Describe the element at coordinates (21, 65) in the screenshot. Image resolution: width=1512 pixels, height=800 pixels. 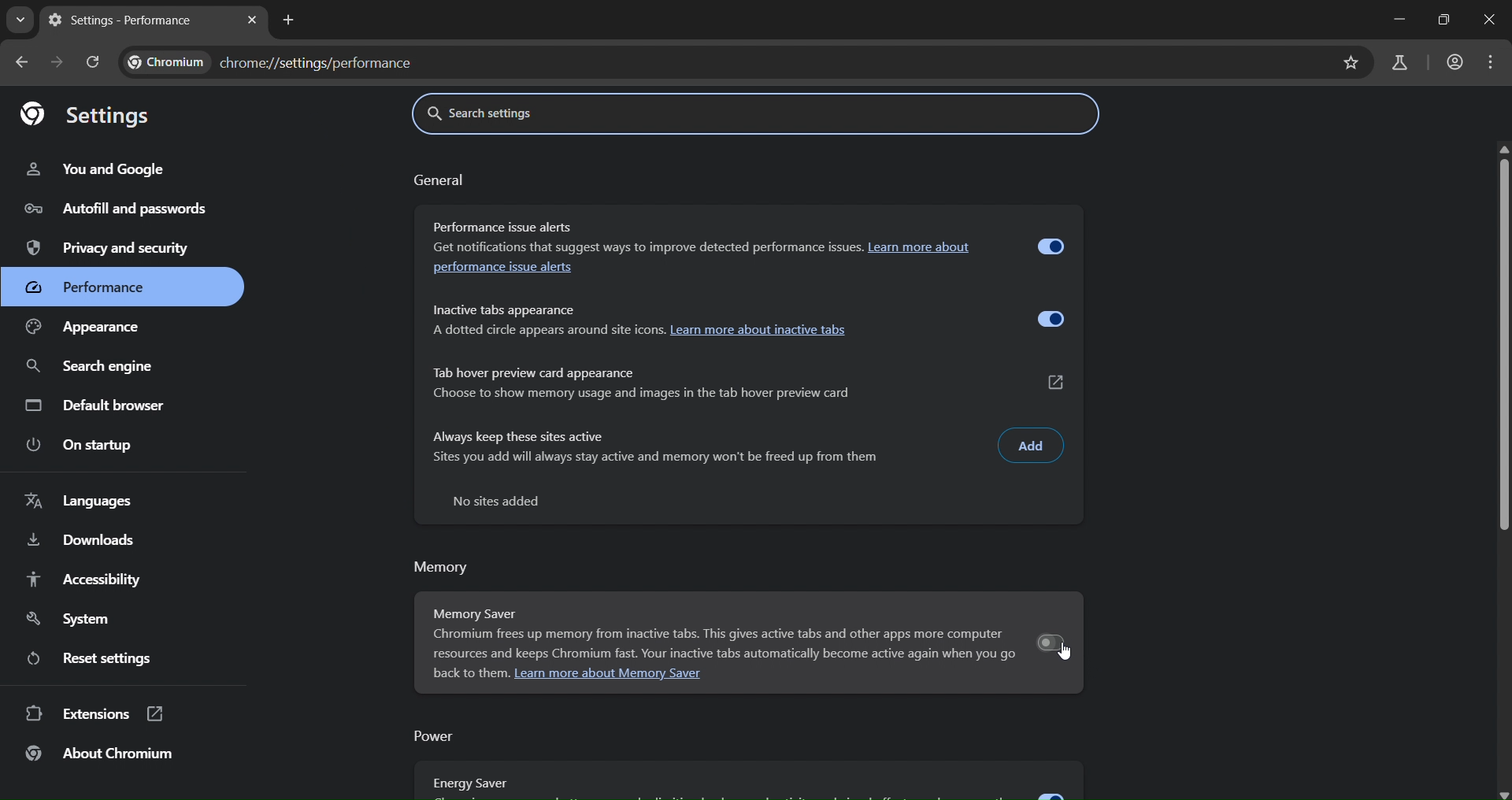
I see `go back one page` at that location.